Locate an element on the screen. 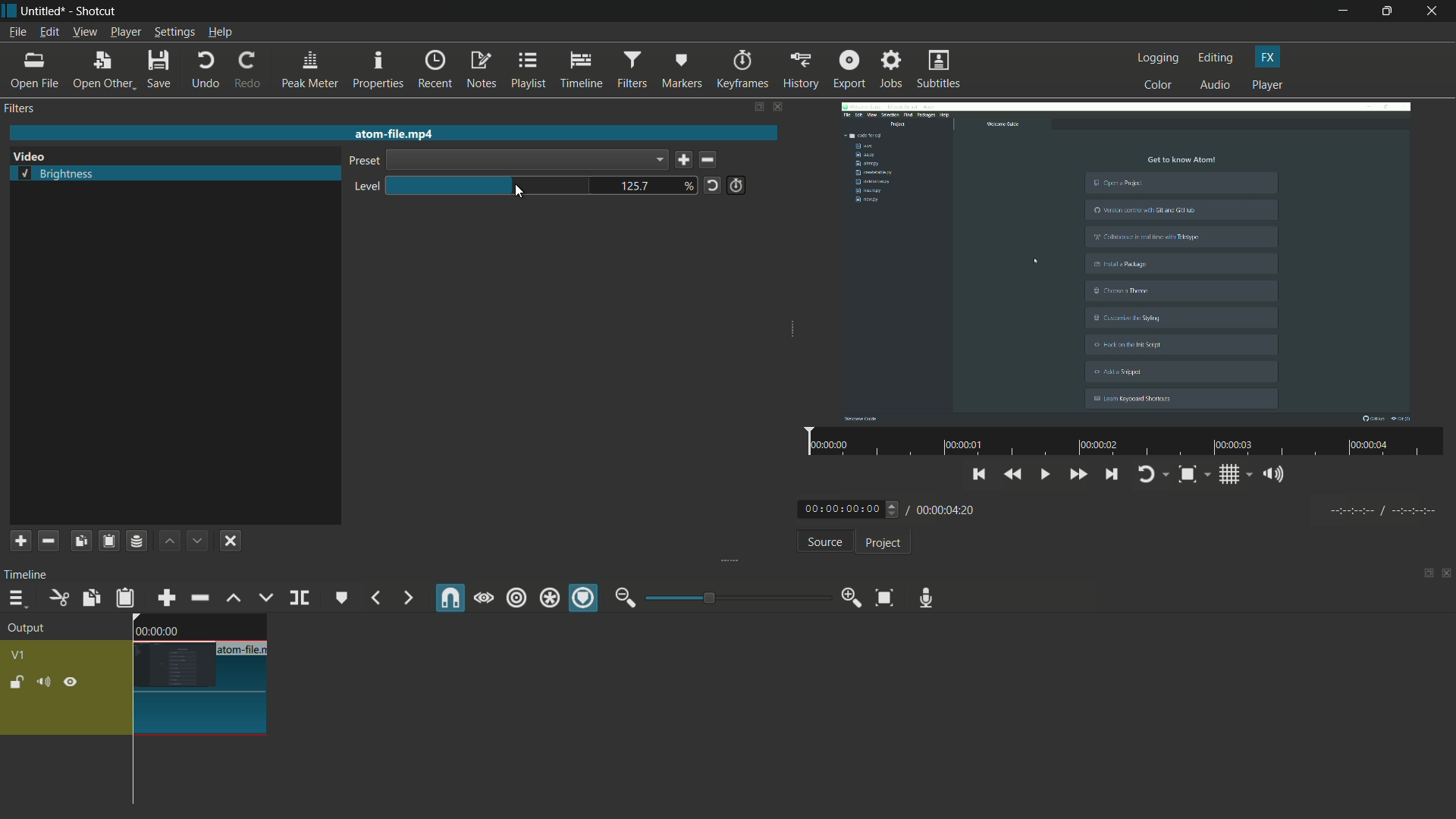  minimize is located at coordinates (1343, 11).